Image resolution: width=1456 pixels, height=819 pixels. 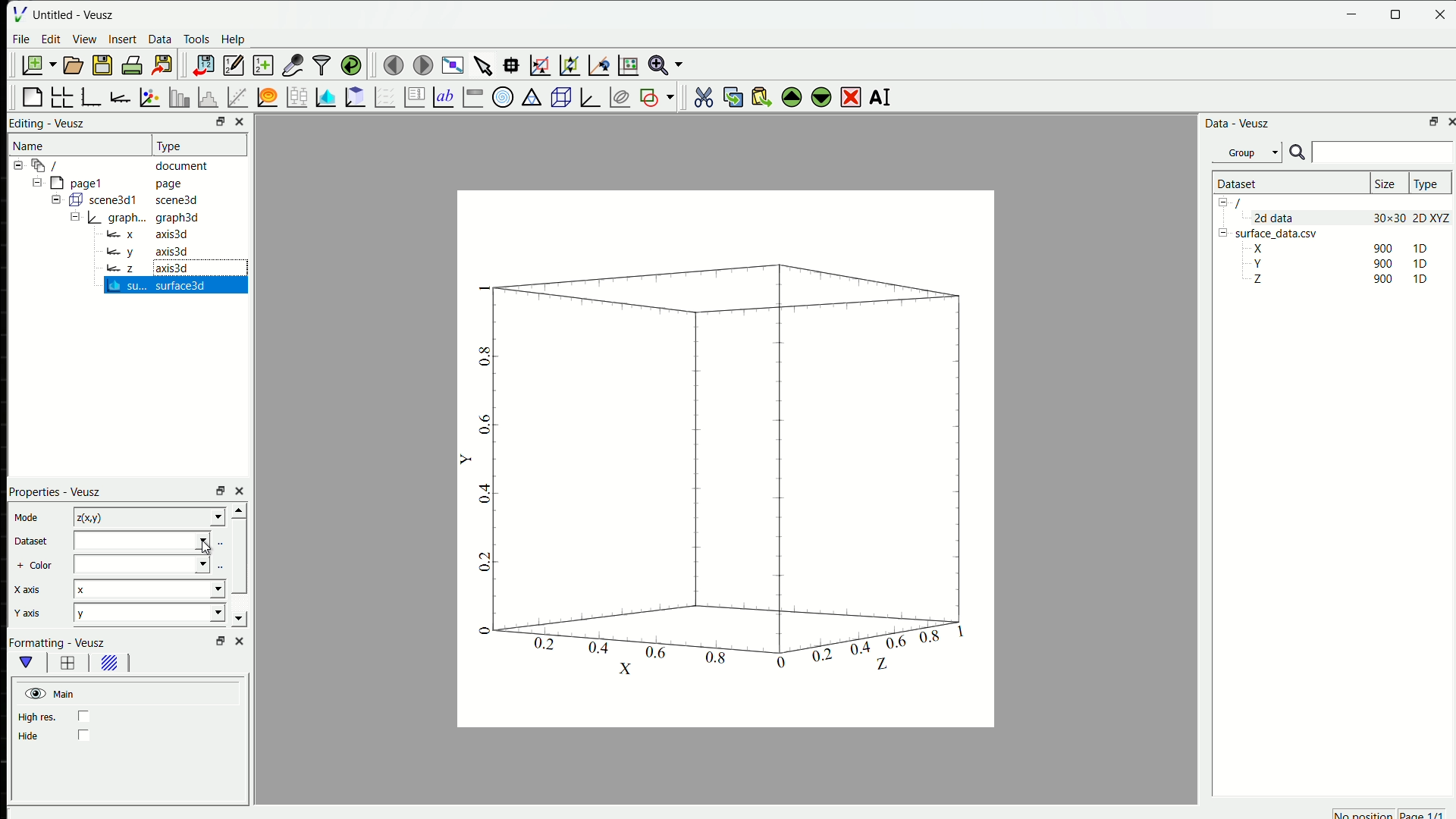 What do you see at coordinates (20, 14) in the screenshot?
I see `logo` at bounding box center [20, 14].